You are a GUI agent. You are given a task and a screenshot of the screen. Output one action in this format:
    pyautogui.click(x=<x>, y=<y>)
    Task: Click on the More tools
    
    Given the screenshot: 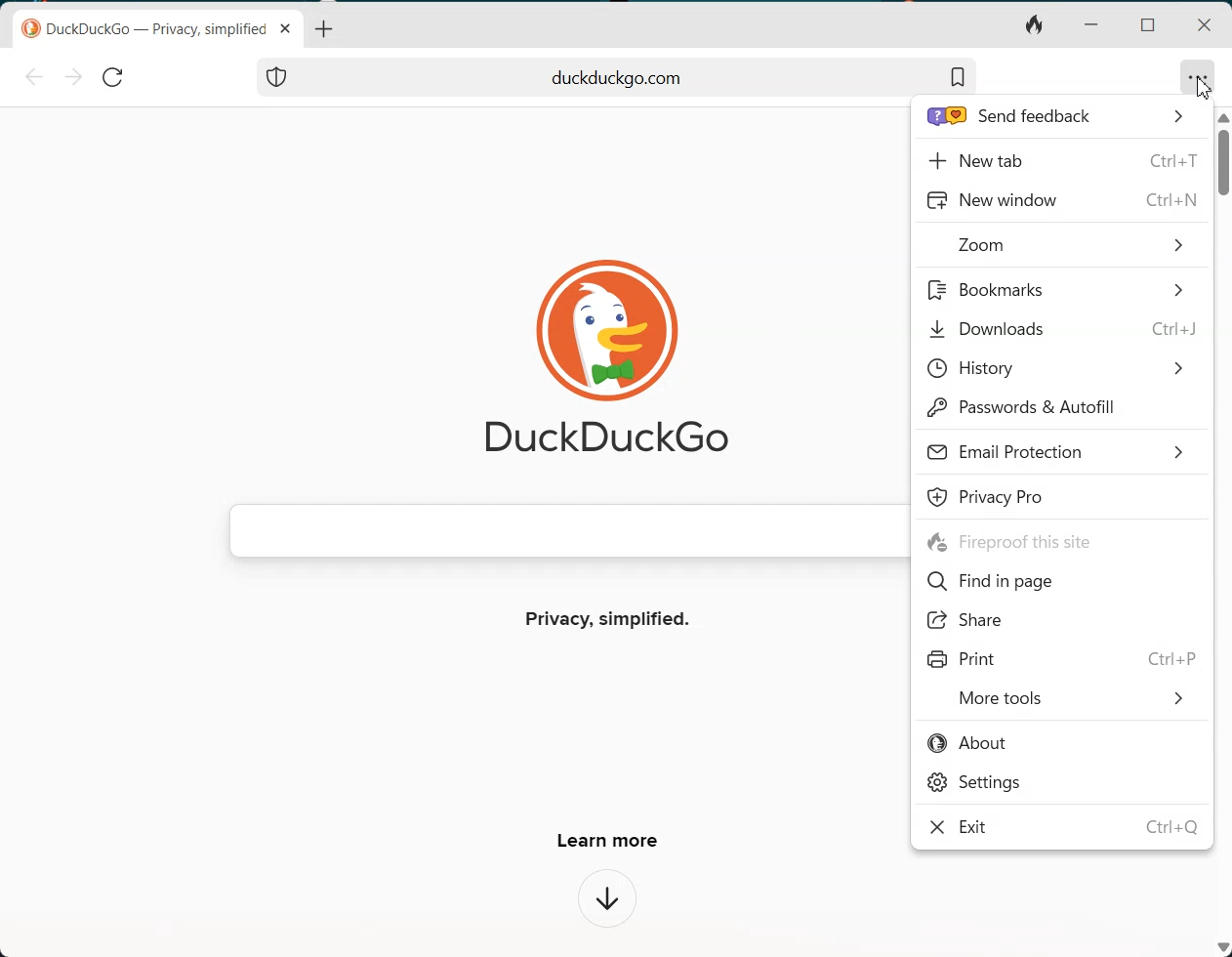 What is the action you would take?
    pyautogui.click(x=1061, y=702)
    